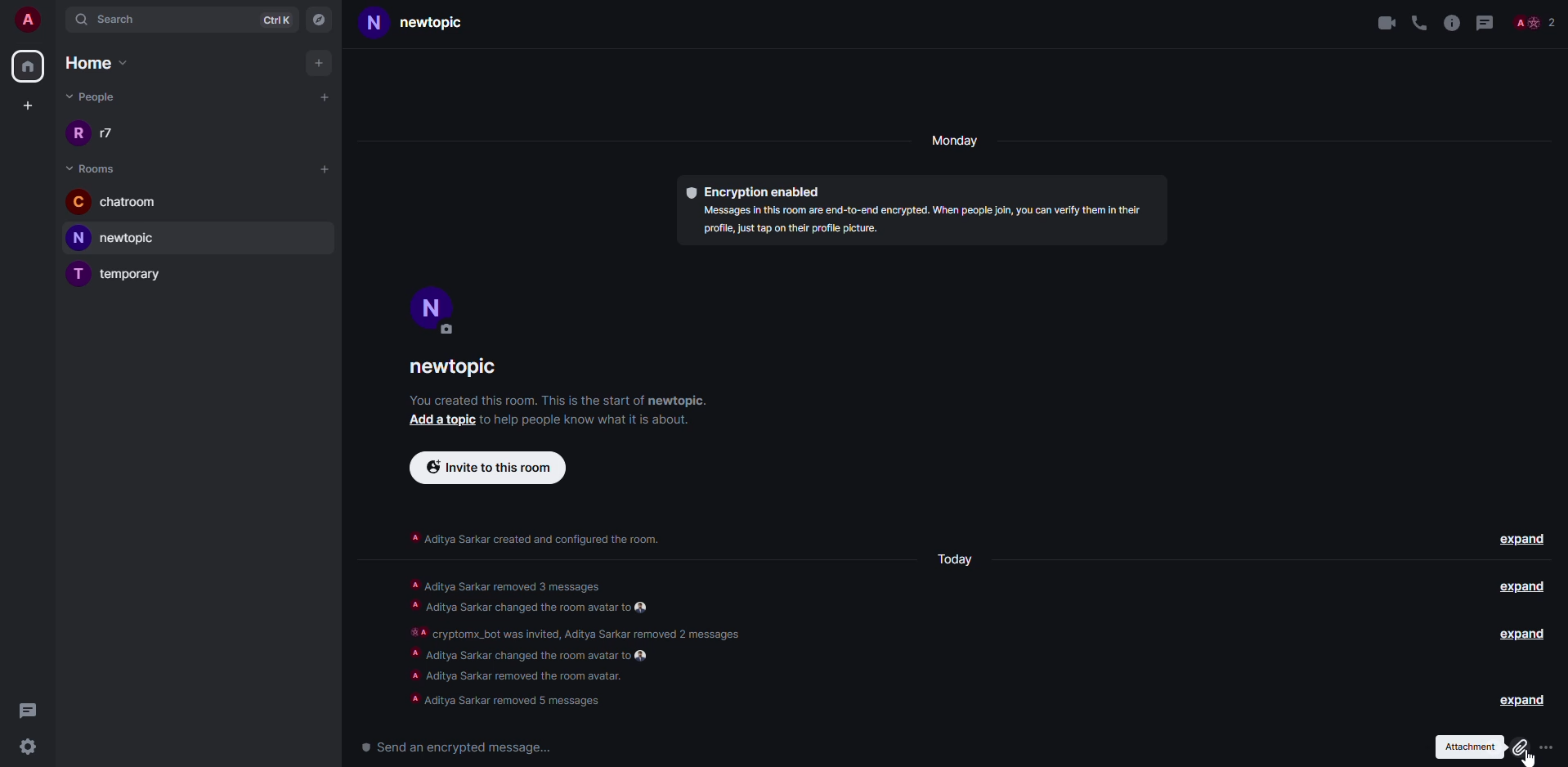 The height and width of the screenshot is (767, 1568). I want to click on info, so click(593, 423).